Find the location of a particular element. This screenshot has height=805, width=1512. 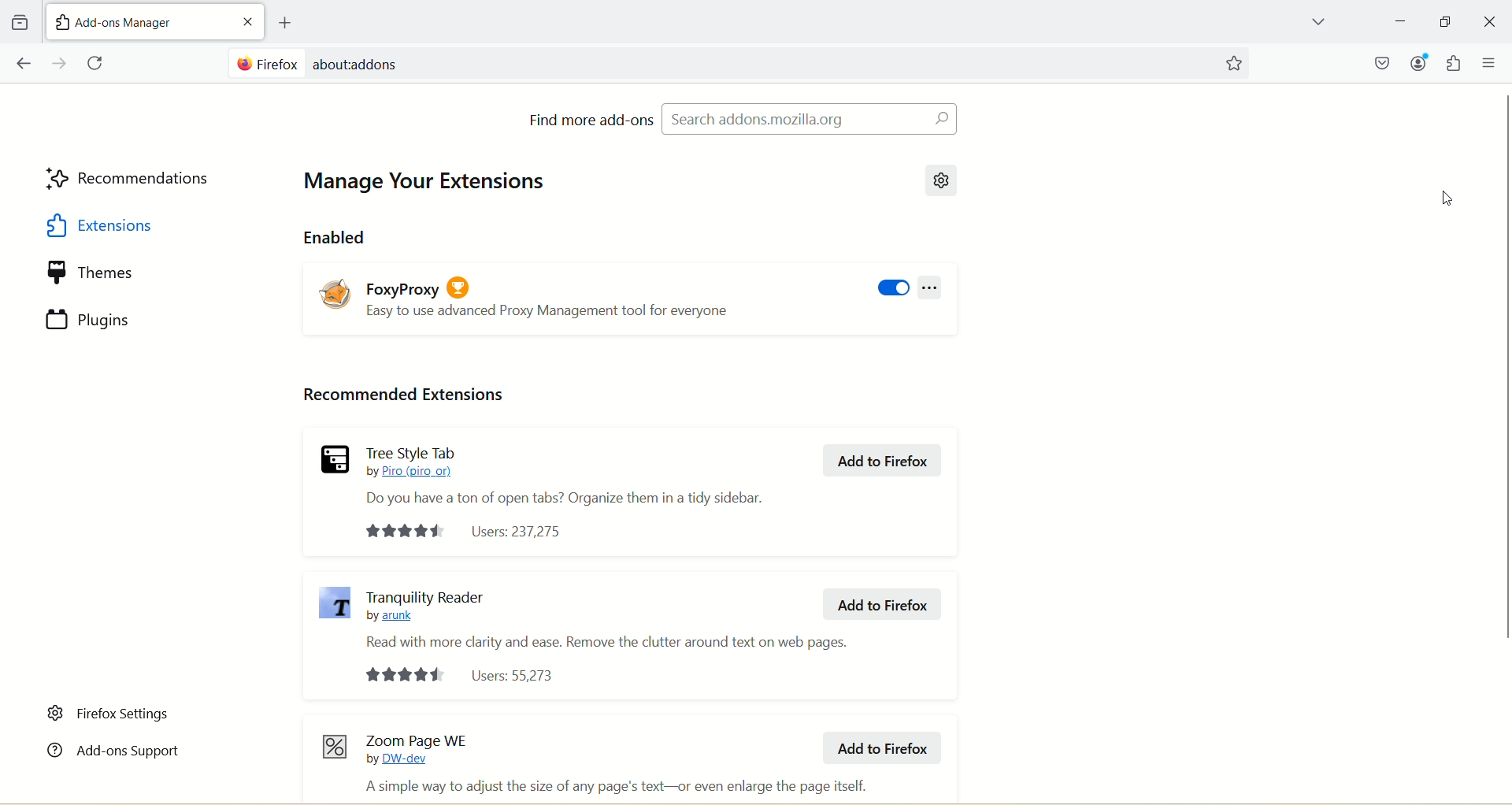

Settings is located at coordinates (943, 180).